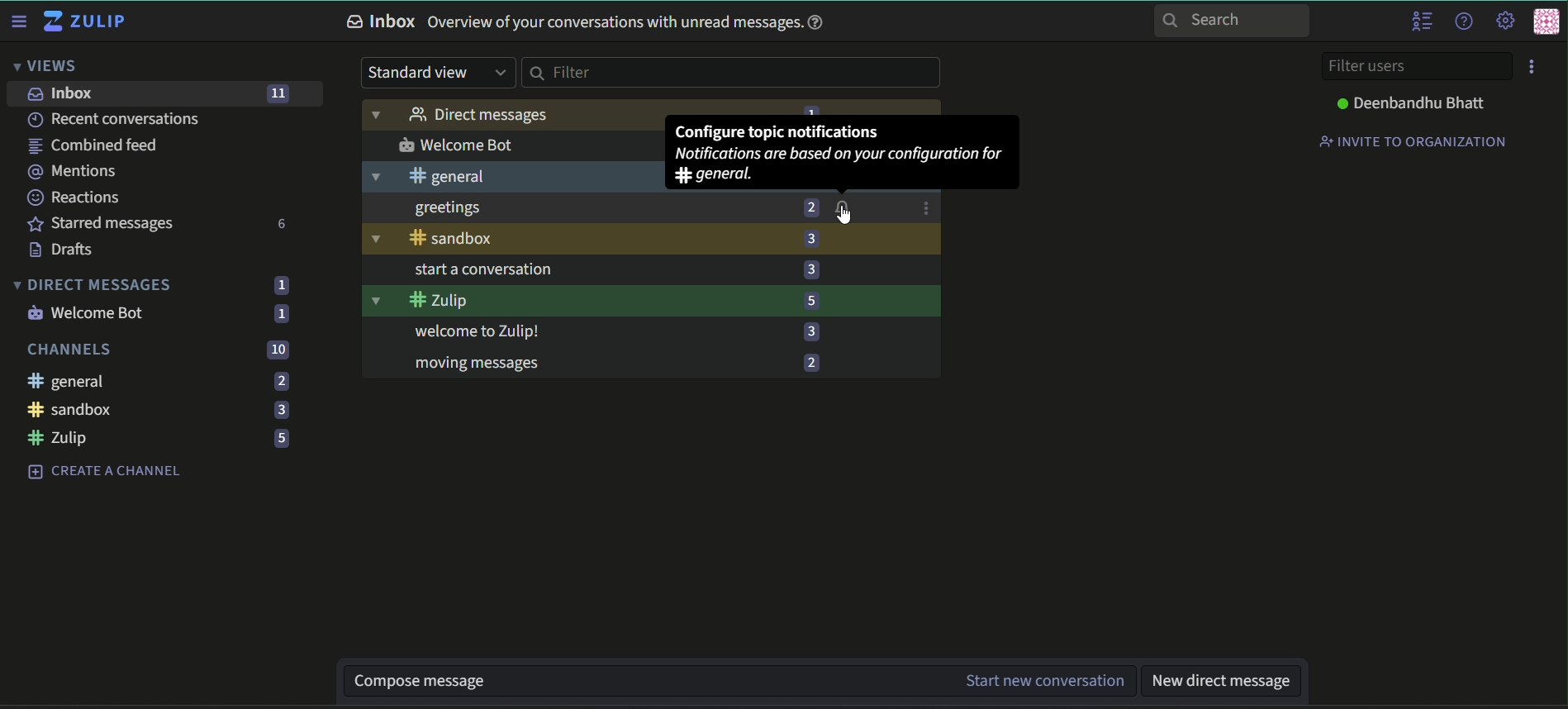  I want to click on filter users, so click(1417, 66).